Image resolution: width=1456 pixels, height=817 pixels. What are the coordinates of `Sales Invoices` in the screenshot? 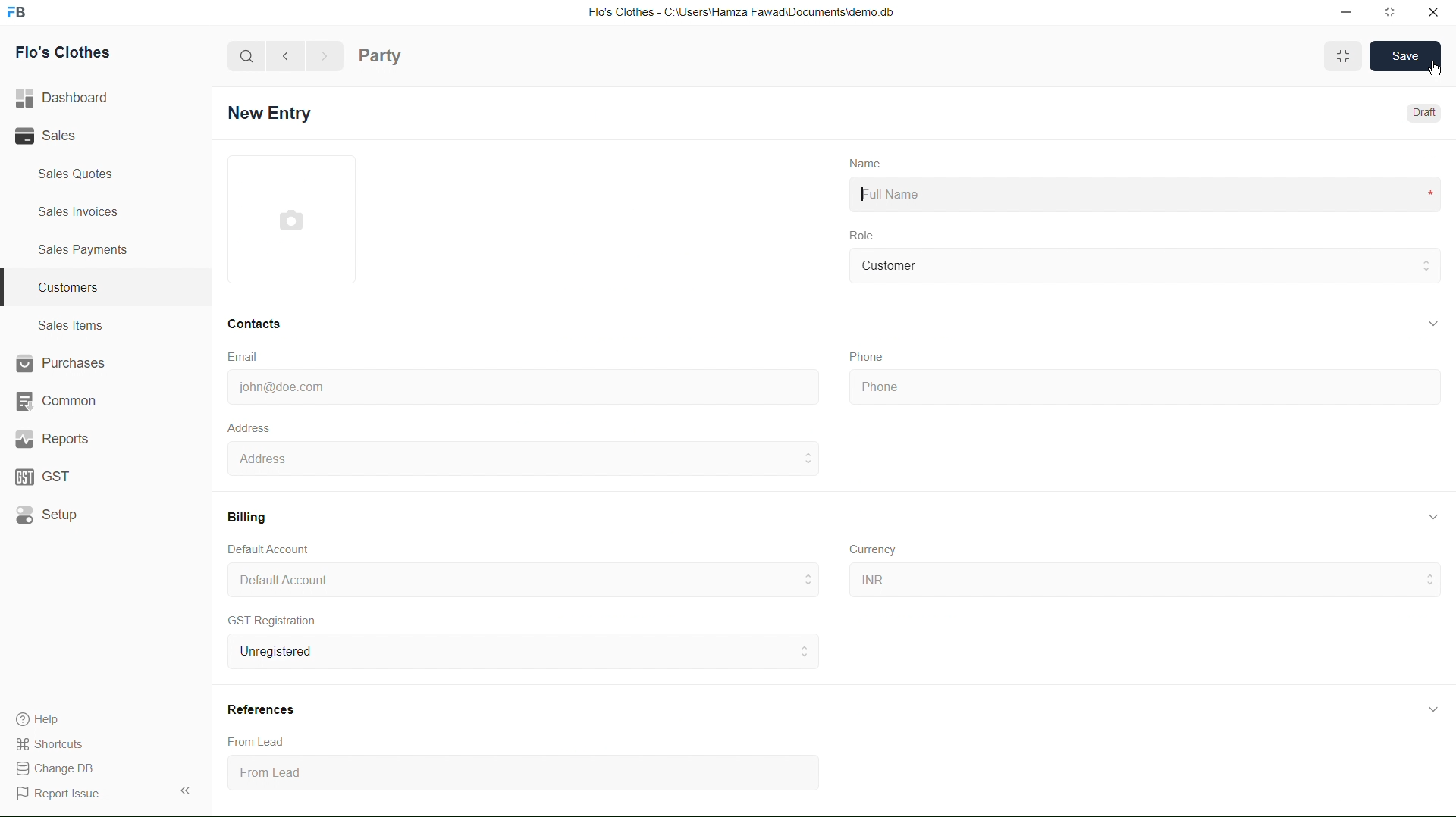 It's located at (83, 211).